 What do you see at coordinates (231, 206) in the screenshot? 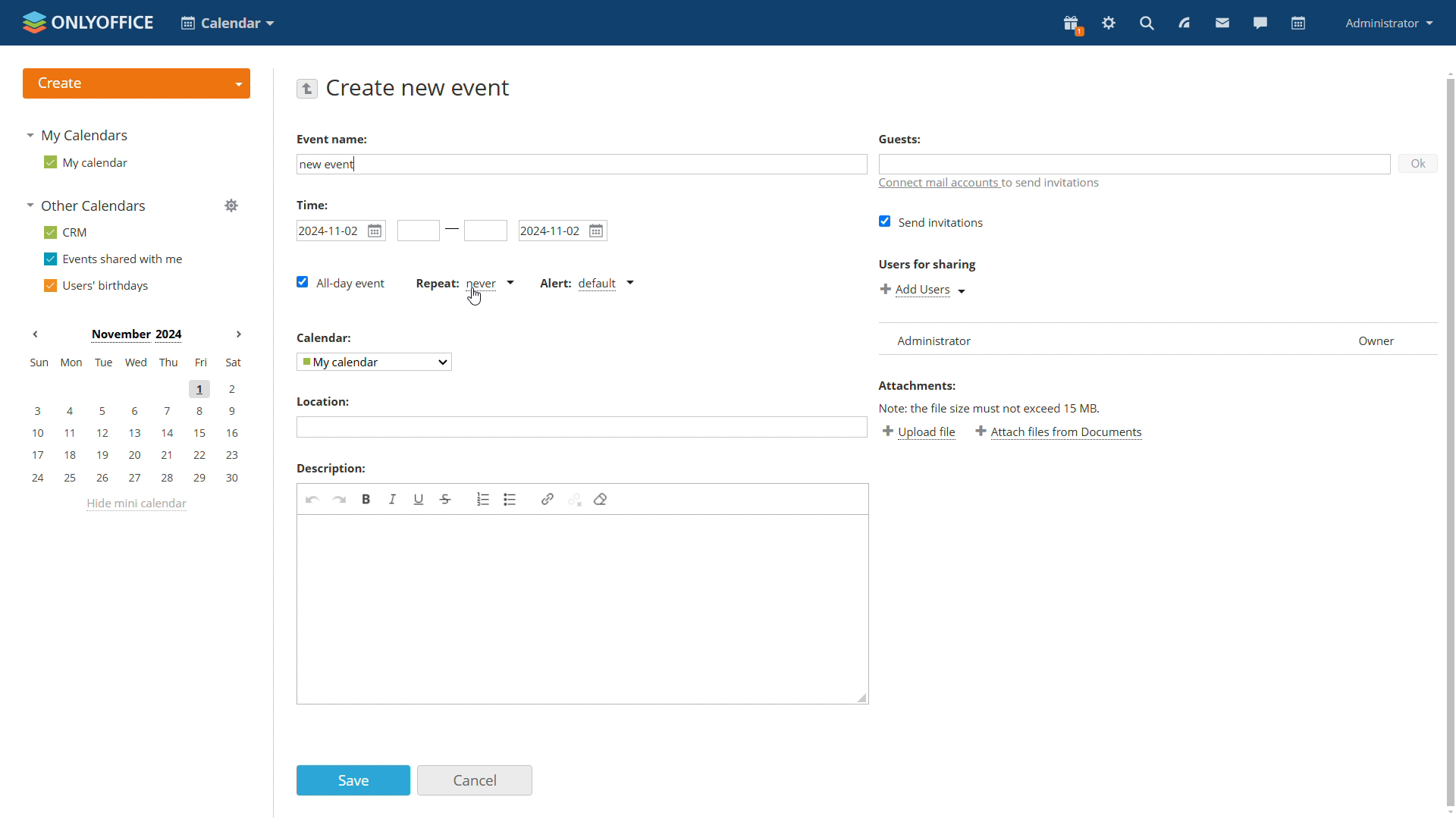
I see `manage` at bounding box center [231, 206].